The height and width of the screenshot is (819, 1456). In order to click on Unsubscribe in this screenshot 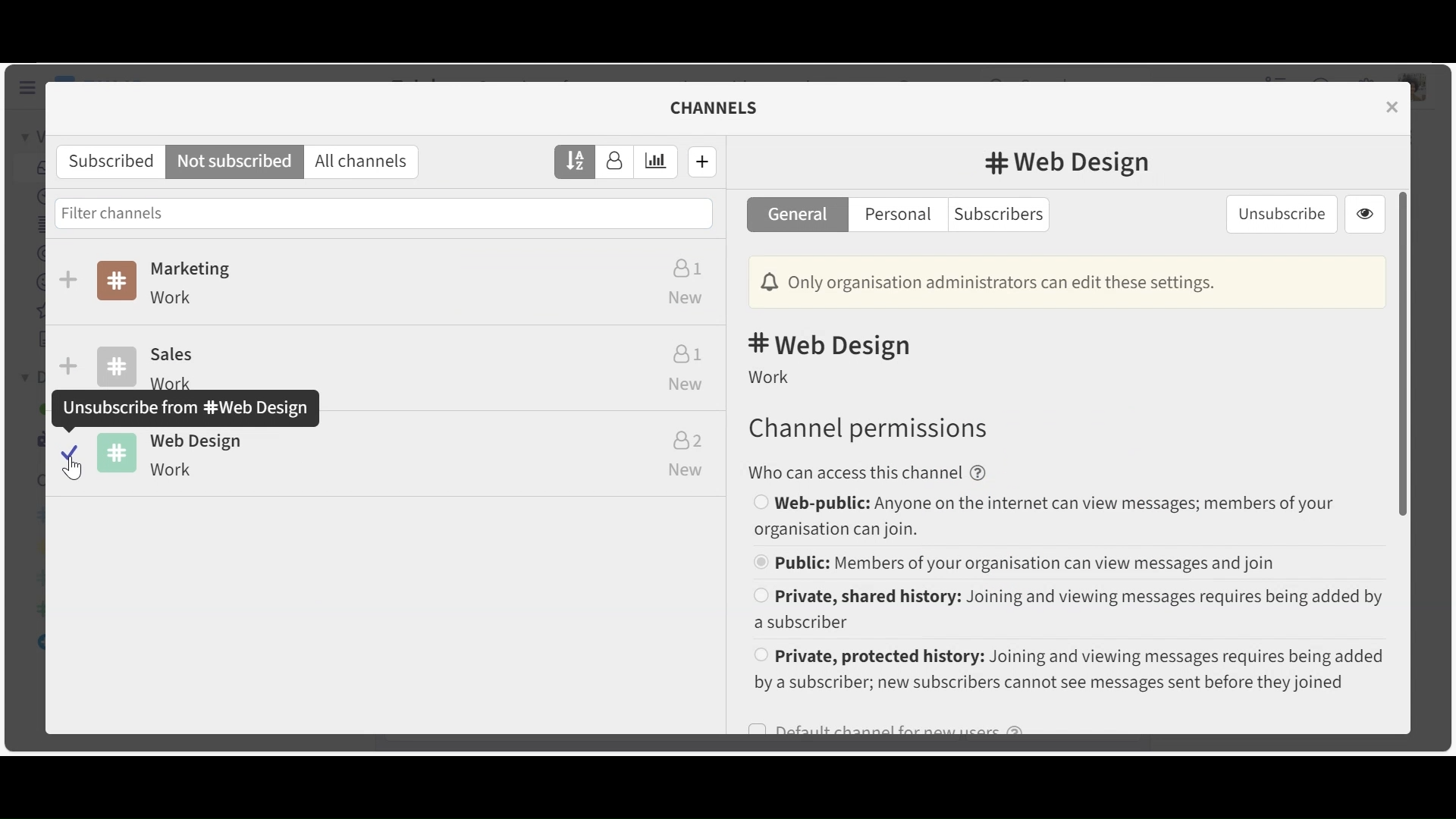, I will do `click(1280, 212)`.